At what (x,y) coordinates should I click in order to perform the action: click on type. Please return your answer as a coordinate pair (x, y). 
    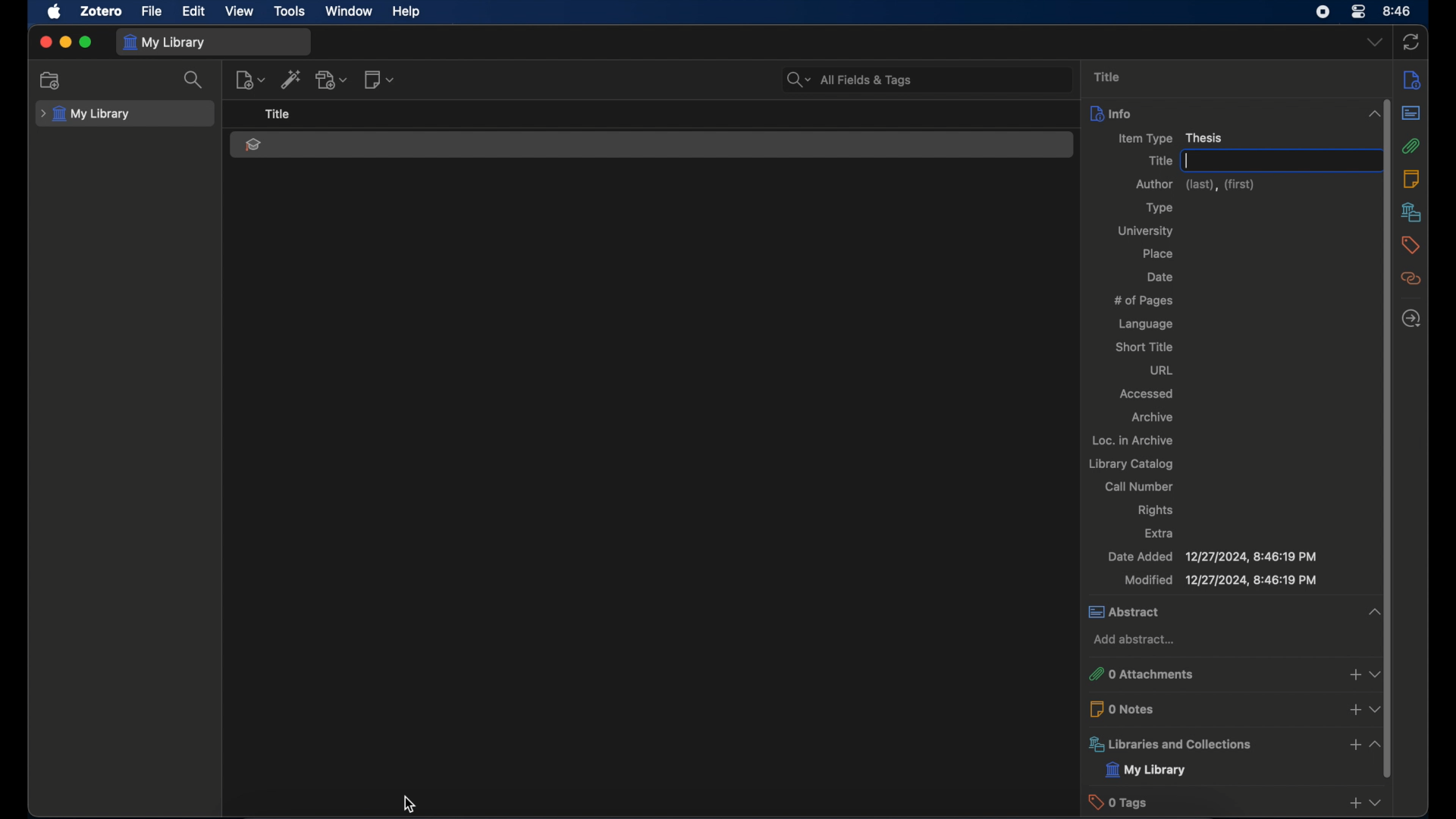
    Looking at the image, I should click on (1157, 209).